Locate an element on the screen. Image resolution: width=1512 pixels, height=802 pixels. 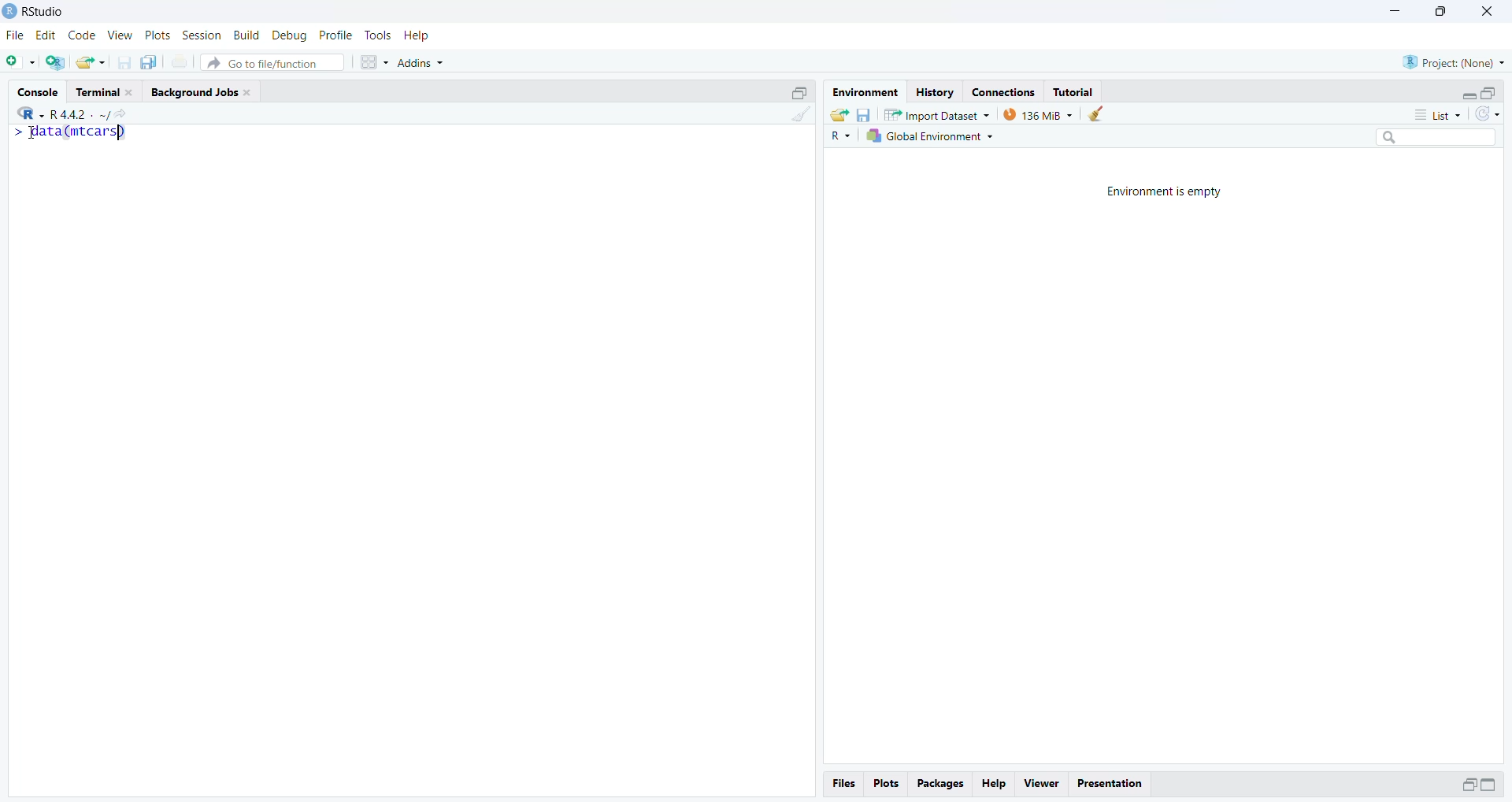
View is located at coordinates (119, 35).